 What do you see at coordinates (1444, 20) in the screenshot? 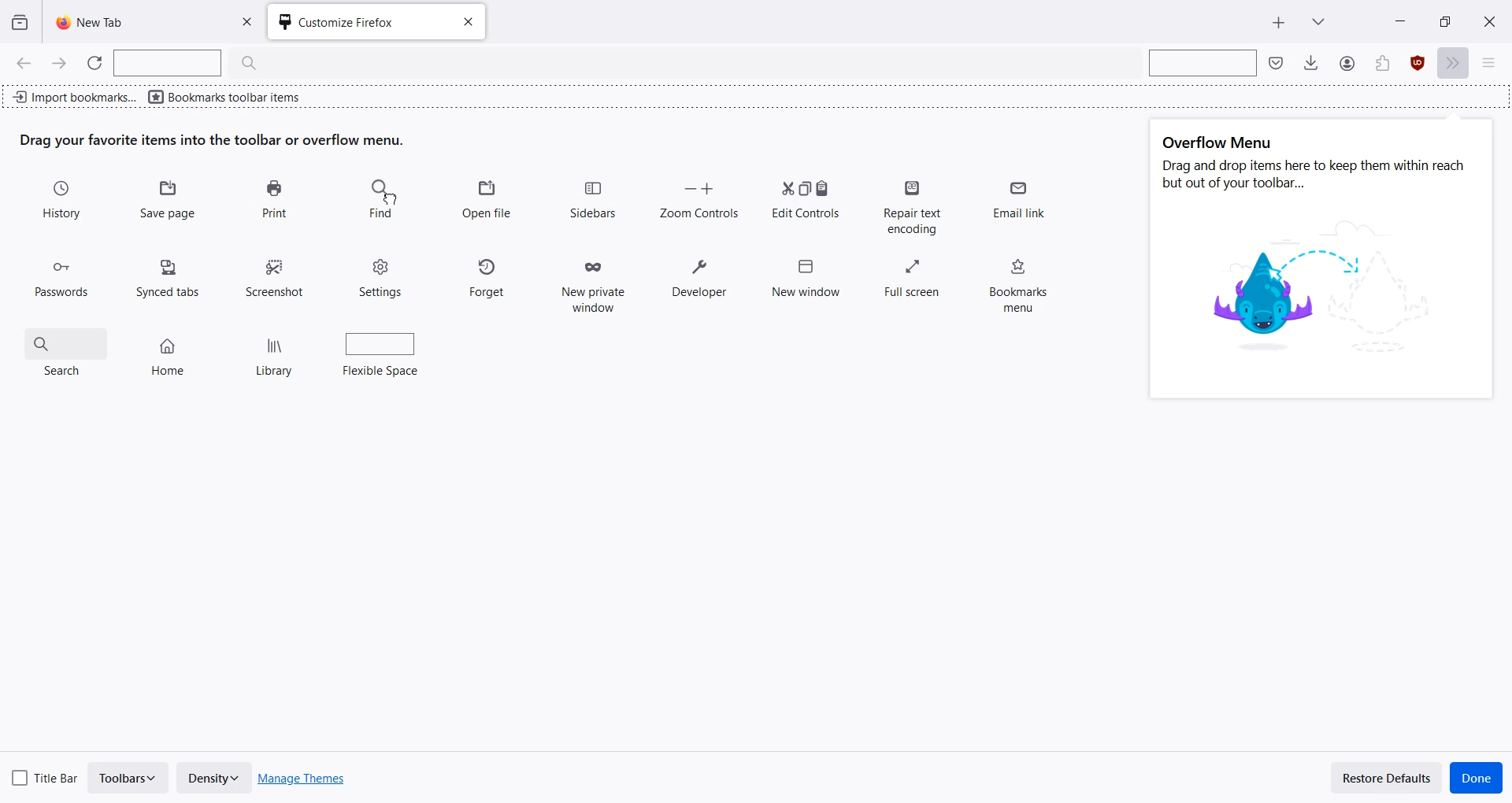
I see `Maximize` at bounding box center [1444, 20].